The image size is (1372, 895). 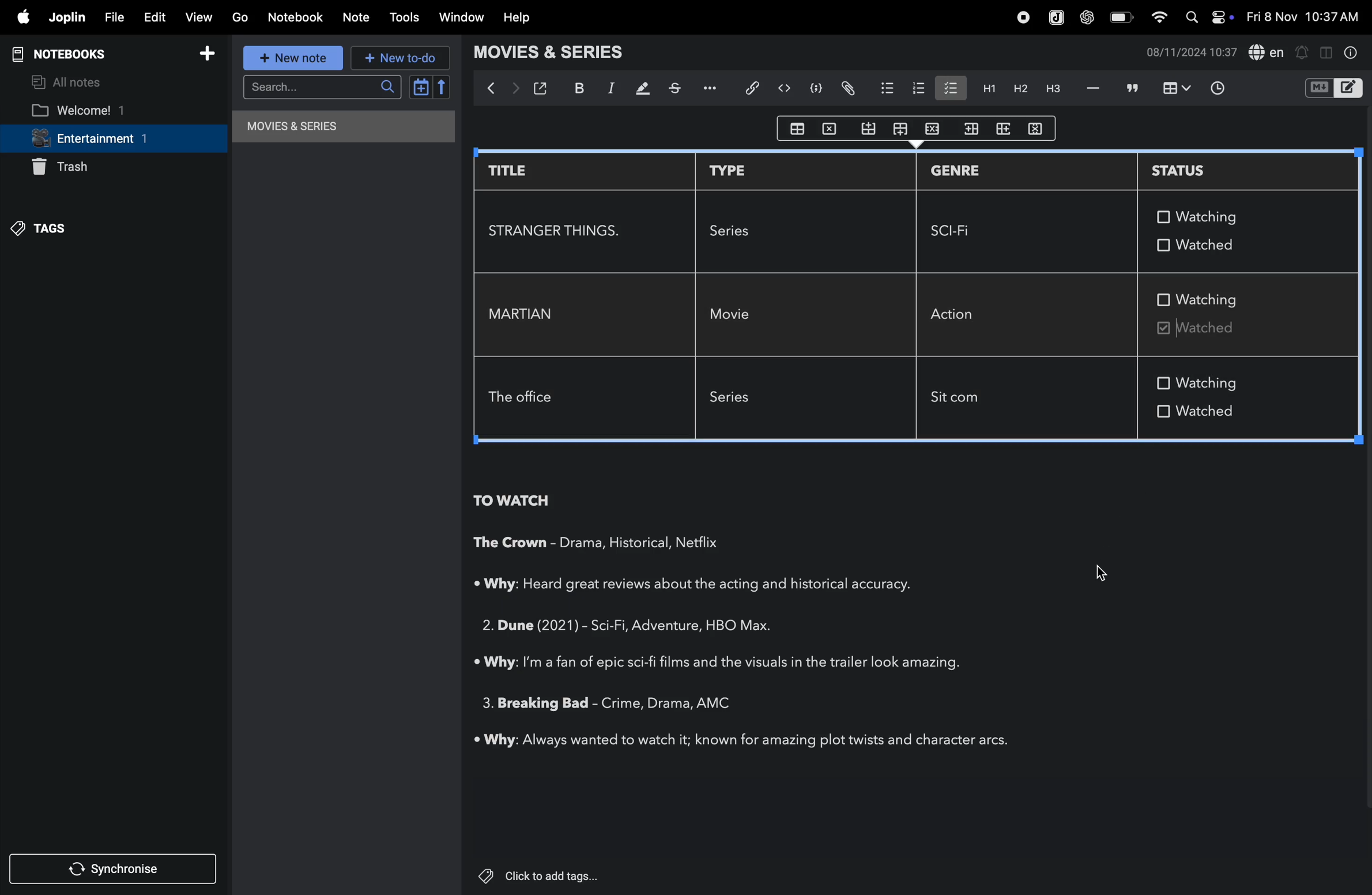 What do you see at coordinates (290, 57) in the screenshot?
I see `new note` at bounding box center [290, 57].